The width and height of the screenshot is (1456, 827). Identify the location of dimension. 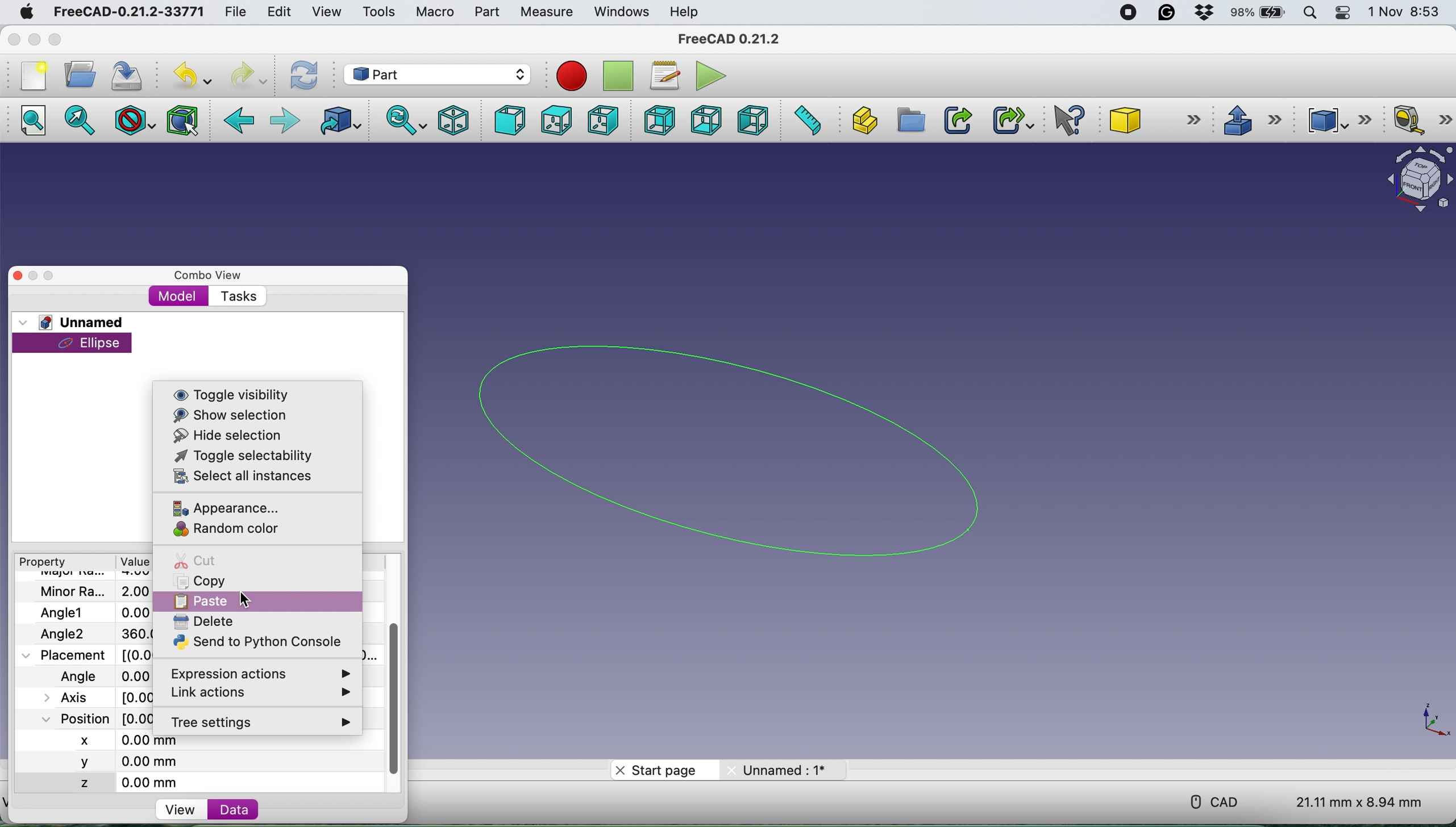
(1362, 802).